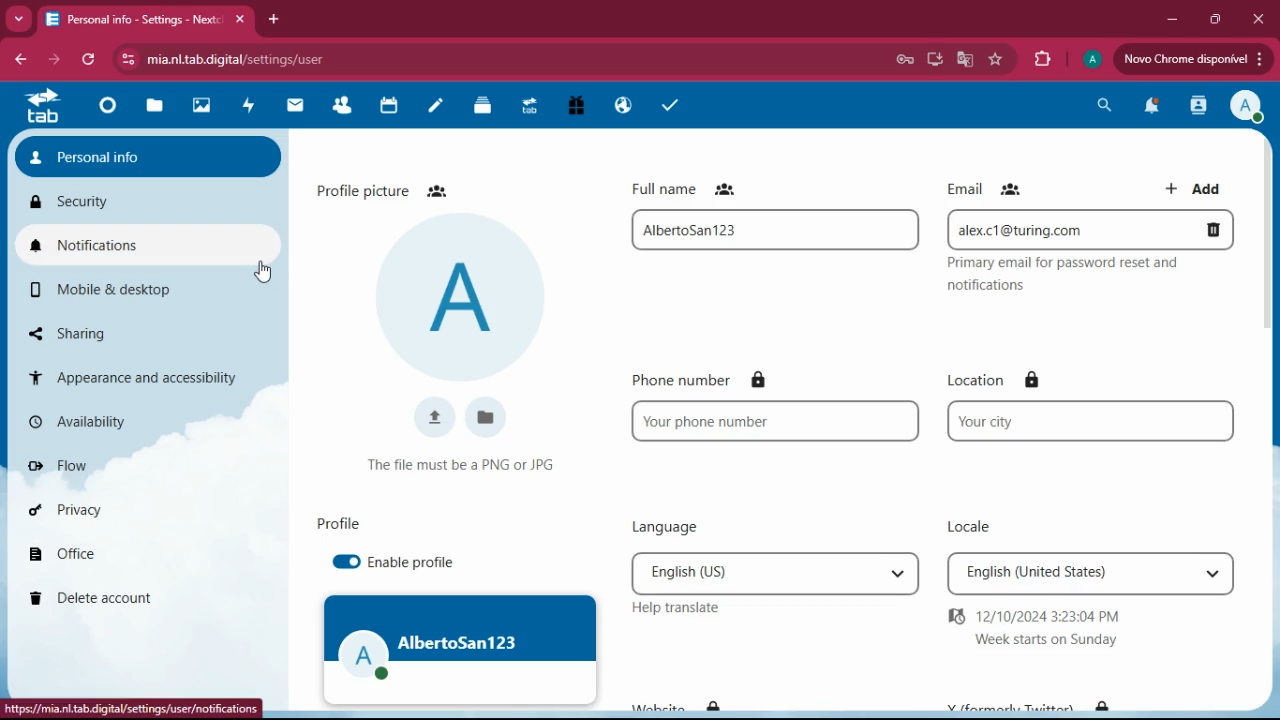 The image size is (1280, 720). I want to click on url, so click(131, 708).